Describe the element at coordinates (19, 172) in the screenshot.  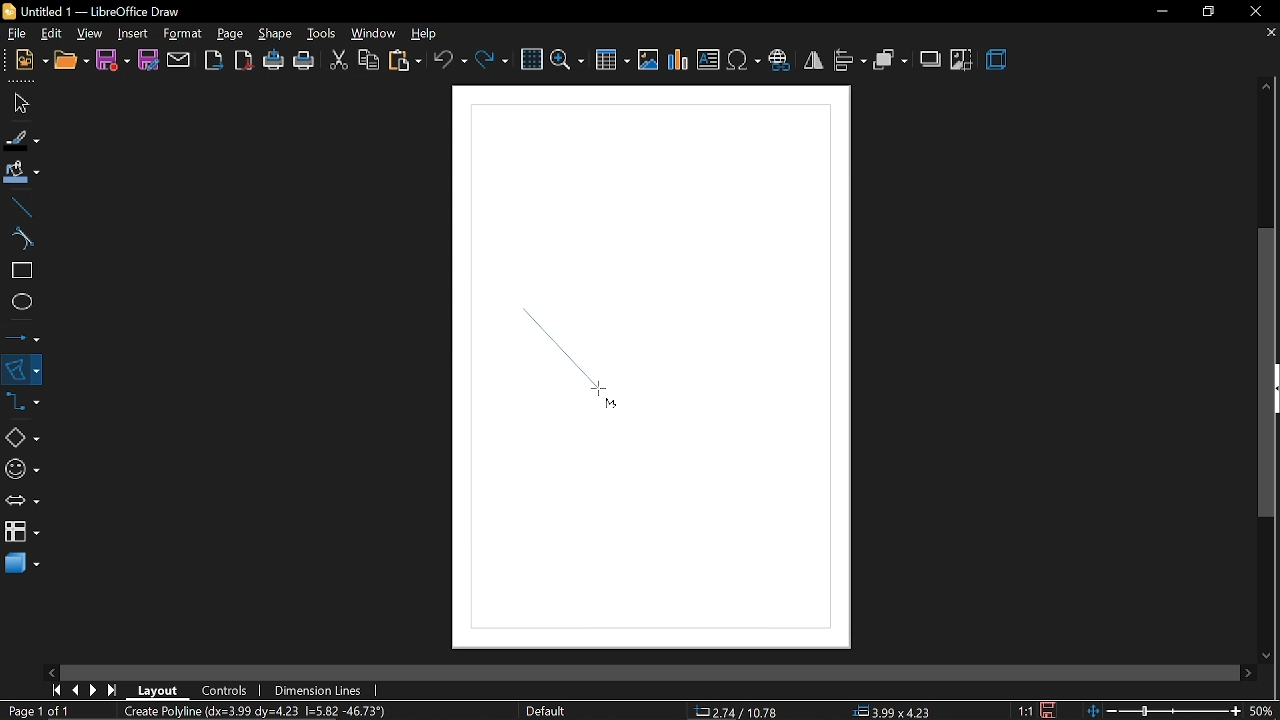
I see `fill color` at that location.